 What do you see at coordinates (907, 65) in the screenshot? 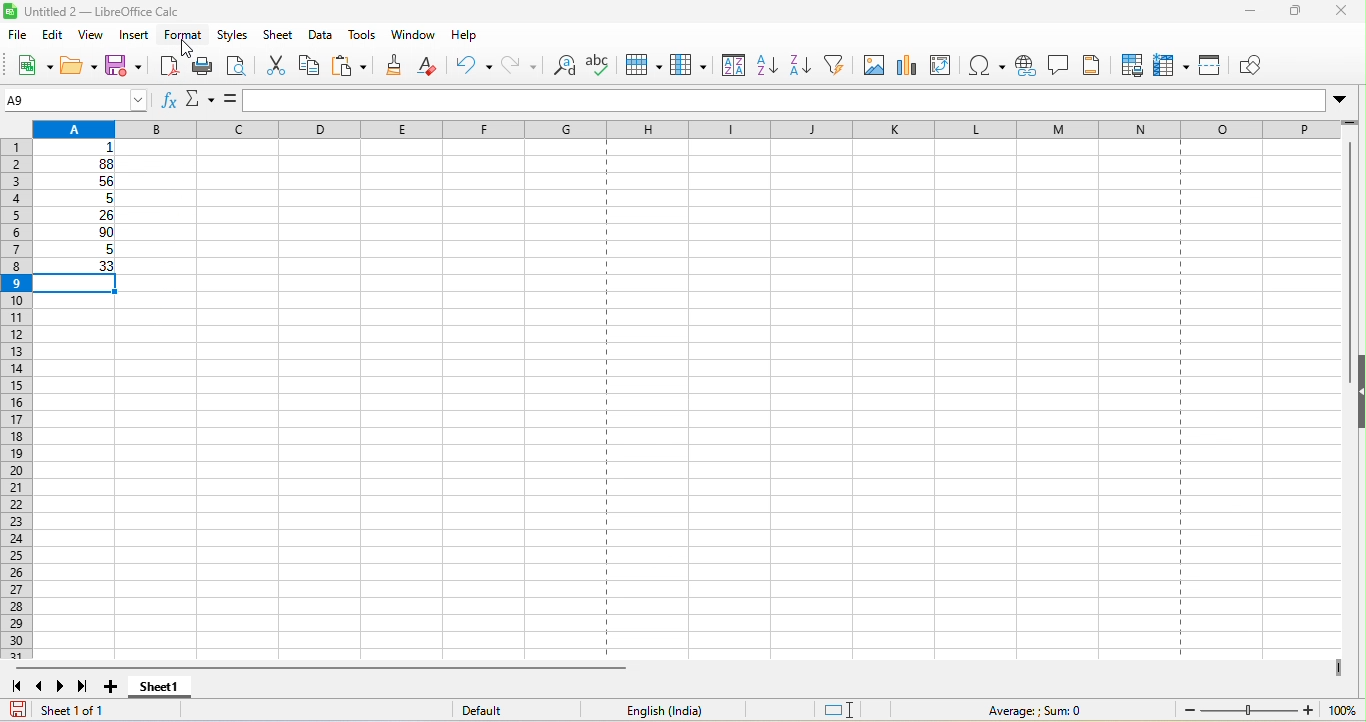
I see `chart` at bounding box center [907, 65].